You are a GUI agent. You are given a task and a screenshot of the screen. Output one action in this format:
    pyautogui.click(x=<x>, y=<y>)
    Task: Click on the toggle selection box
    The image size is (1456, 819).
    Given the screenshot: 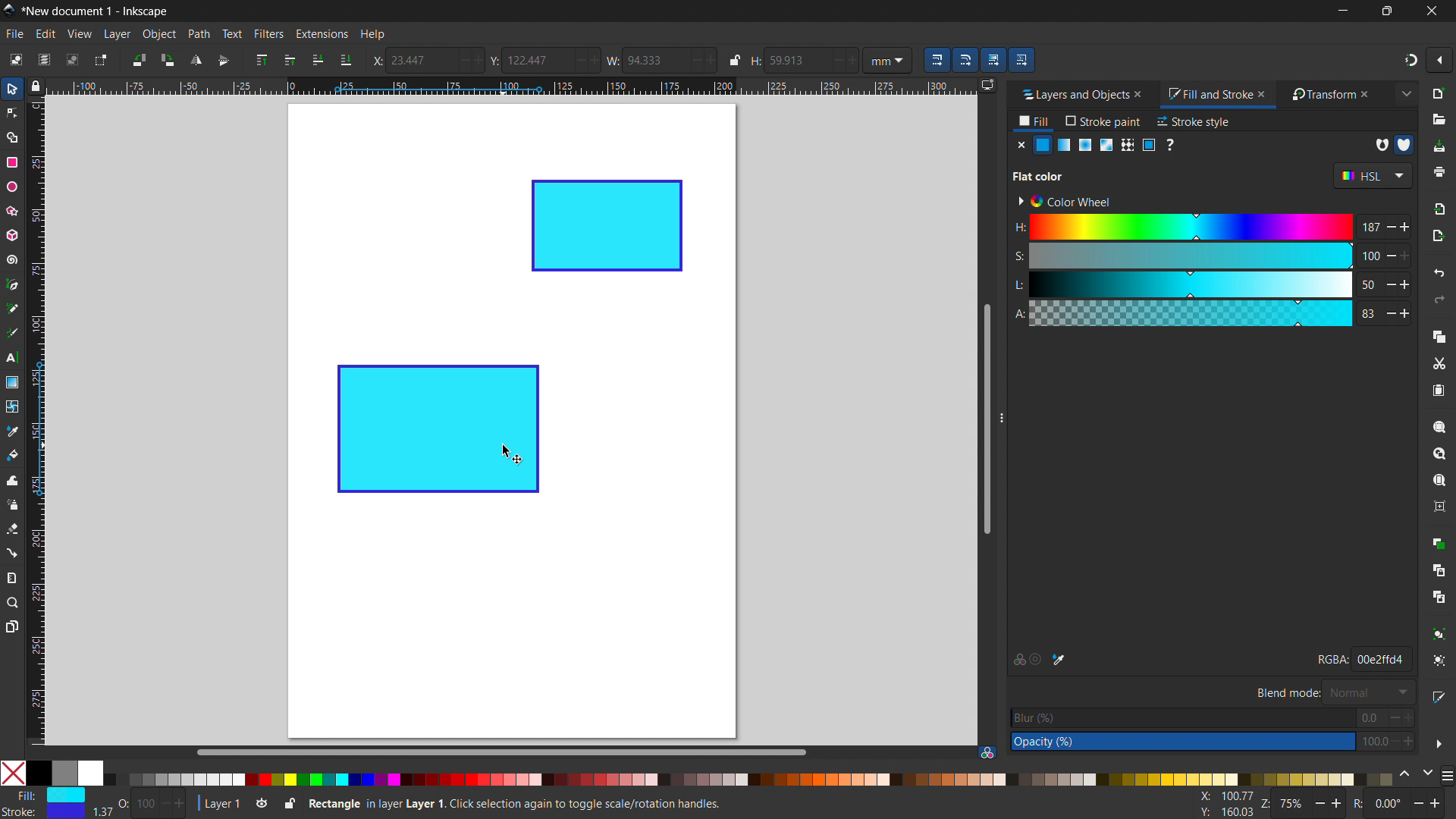 What is the action you would take?
    pyautogui.click(x=99, y=61)
    